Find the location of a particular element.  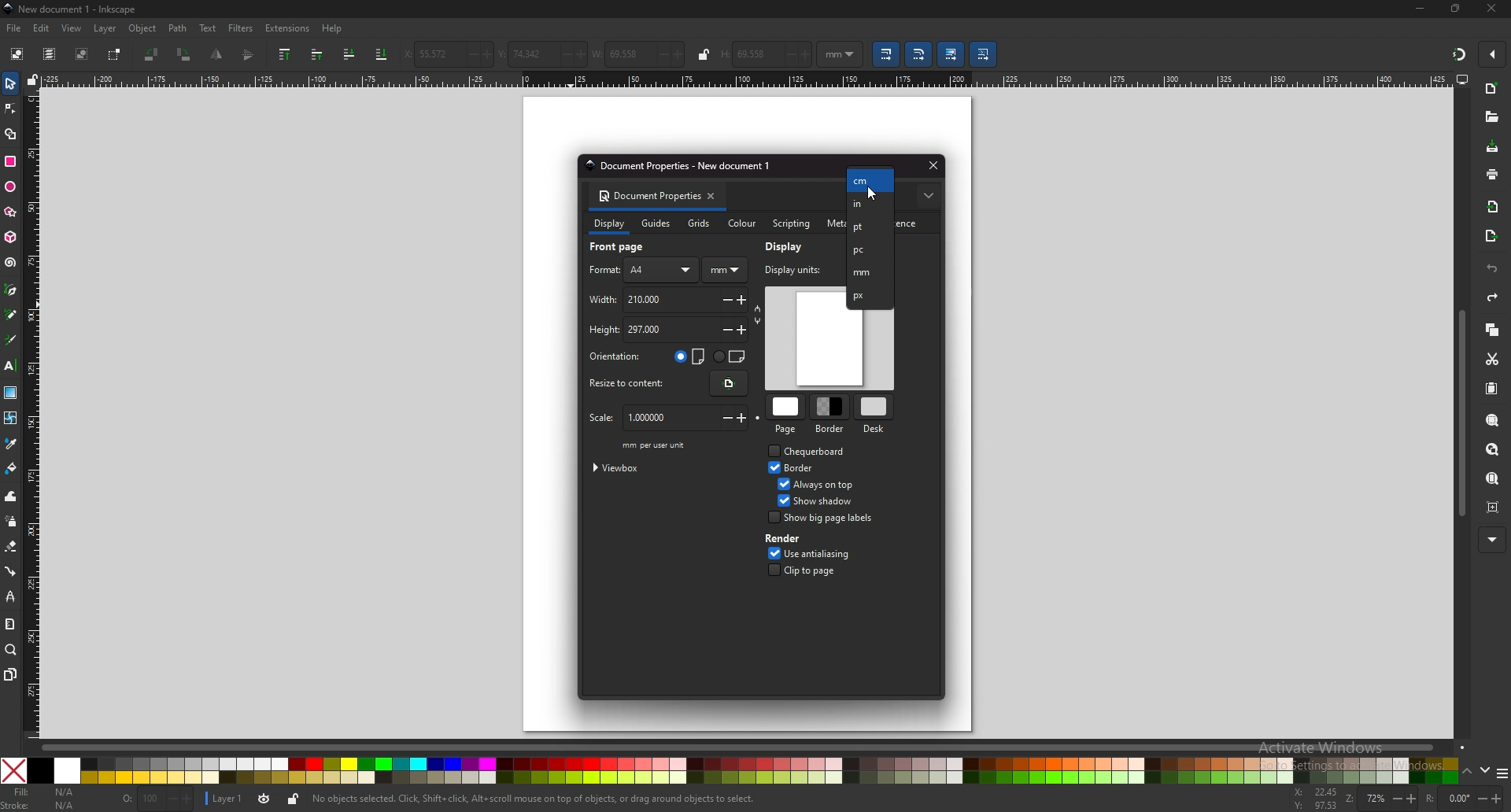

always on top is located at coordinates (827, 484).